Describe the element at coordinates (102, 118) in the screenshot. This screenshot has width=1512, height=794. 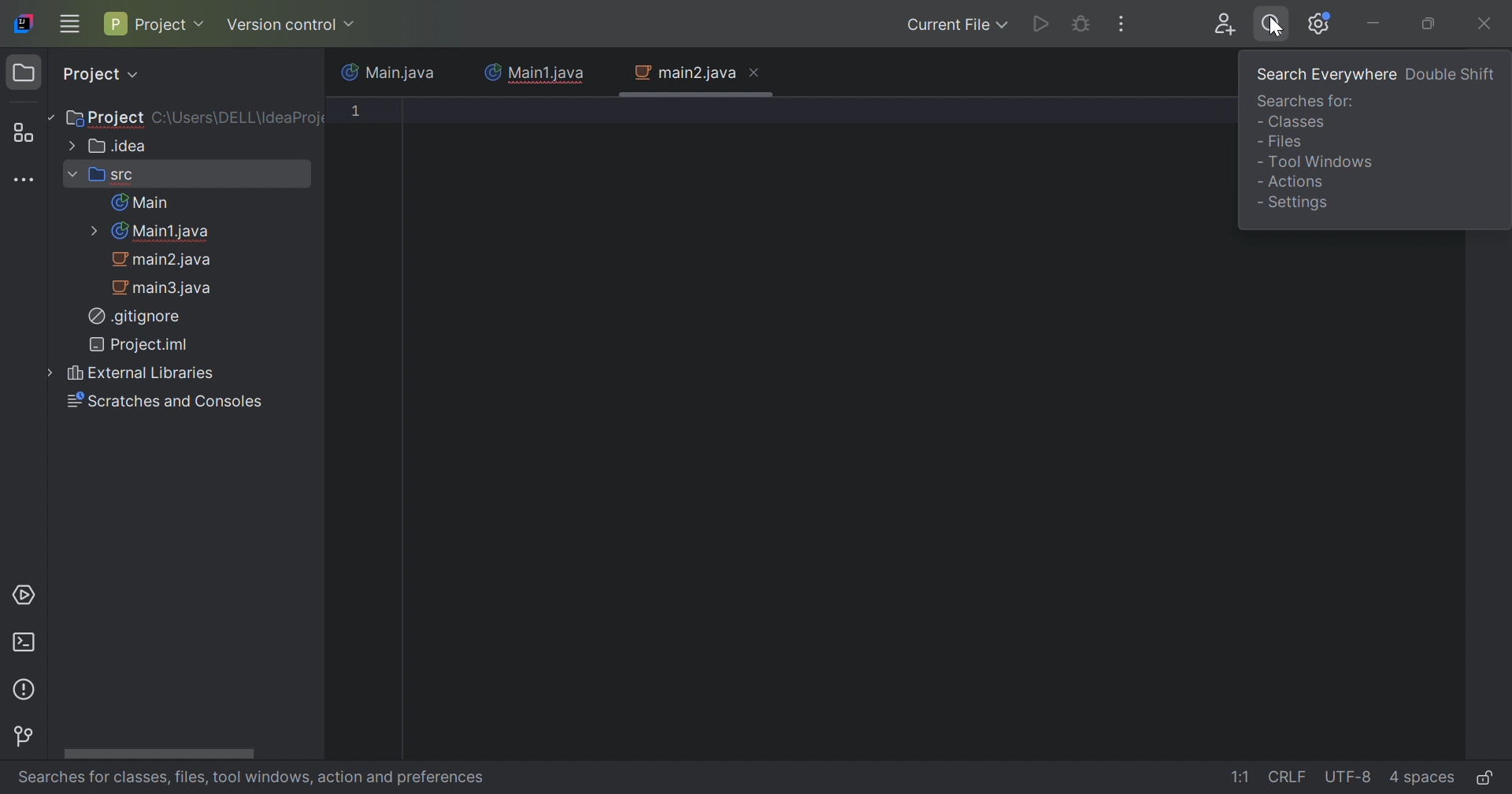
I see `Project` at that location.